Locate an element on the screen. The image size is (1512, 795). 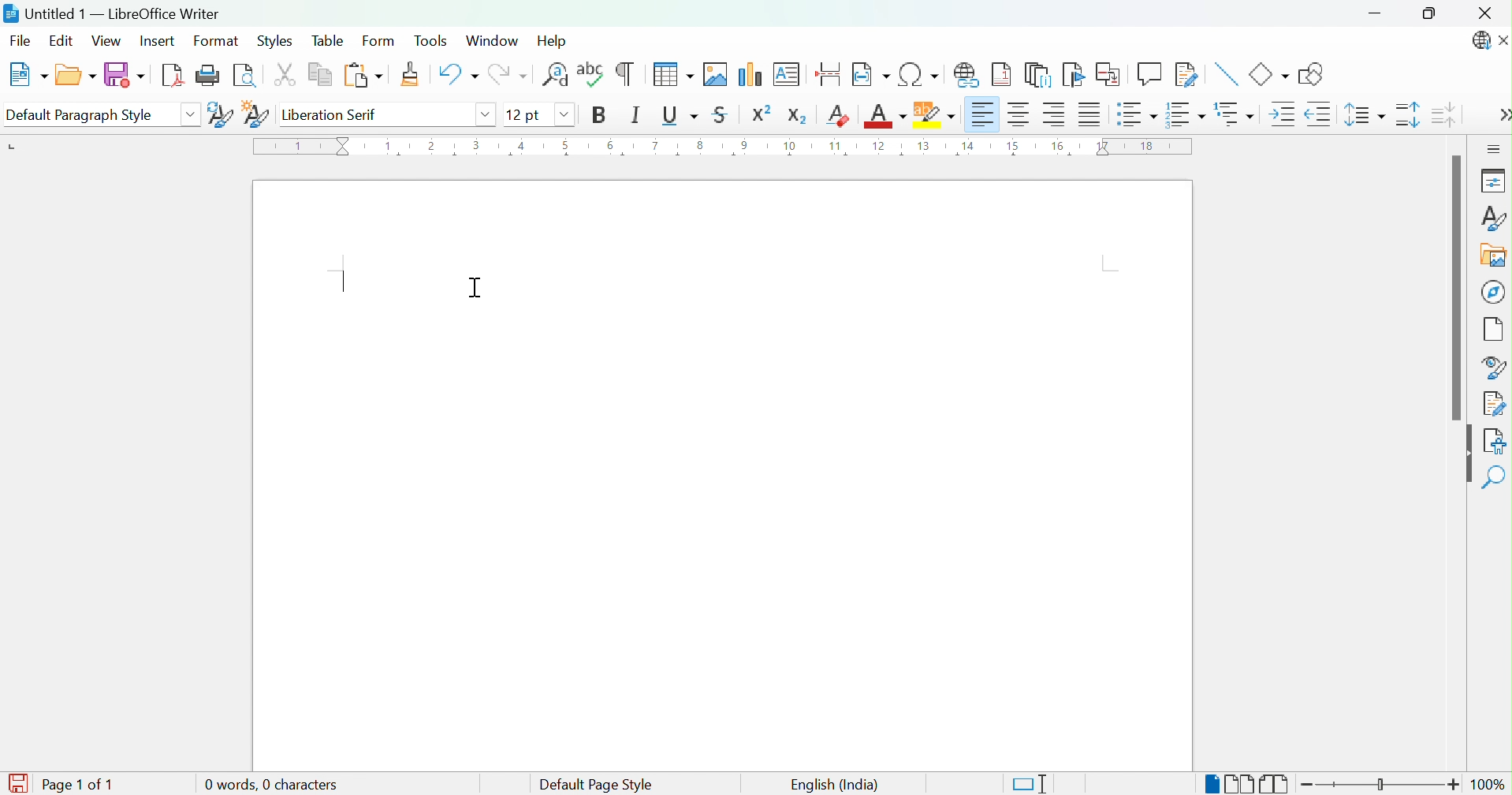
Styles is located at coordinates (274, 41).